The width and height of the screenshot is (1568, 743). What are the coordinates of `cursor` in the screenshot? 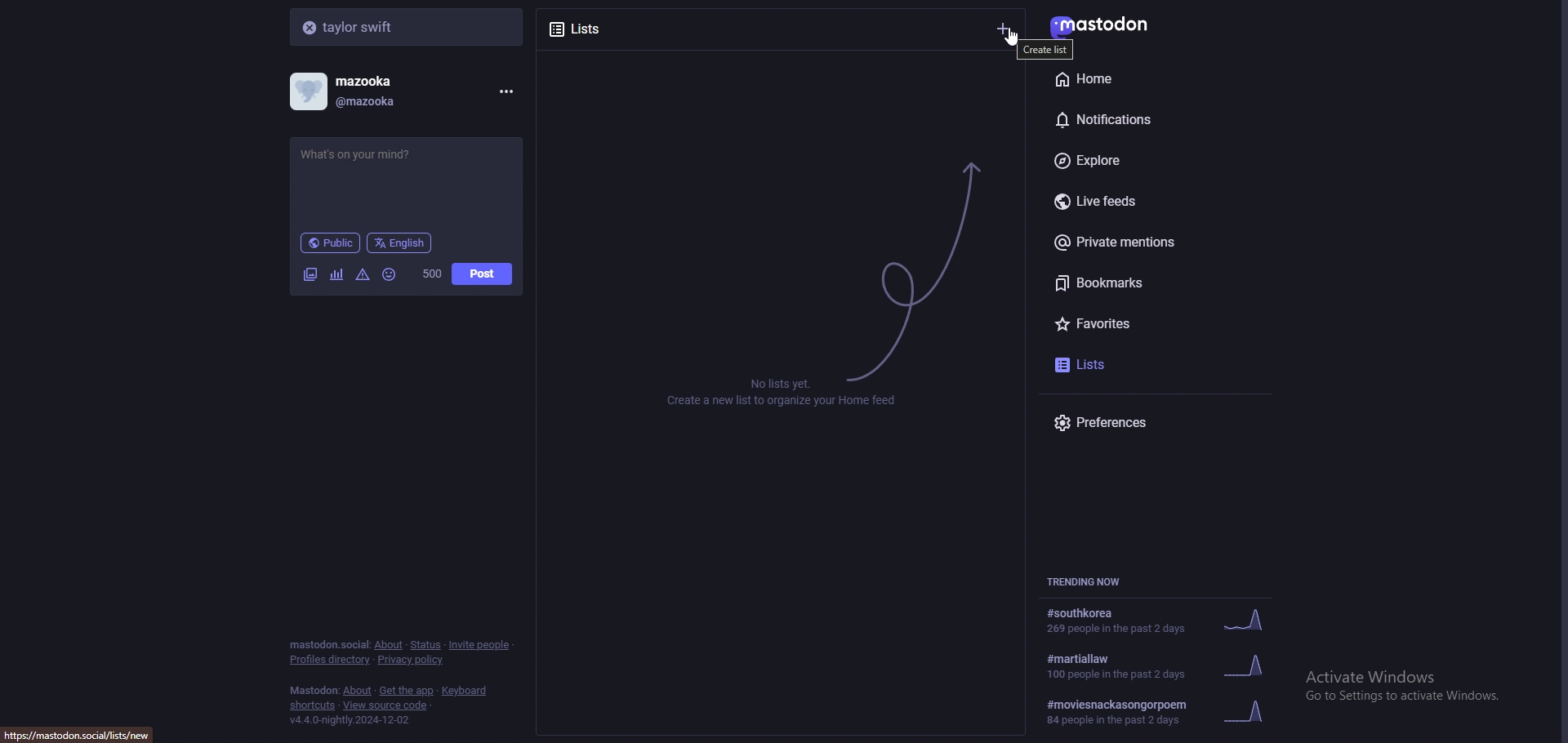 It's located at (1015, 38).